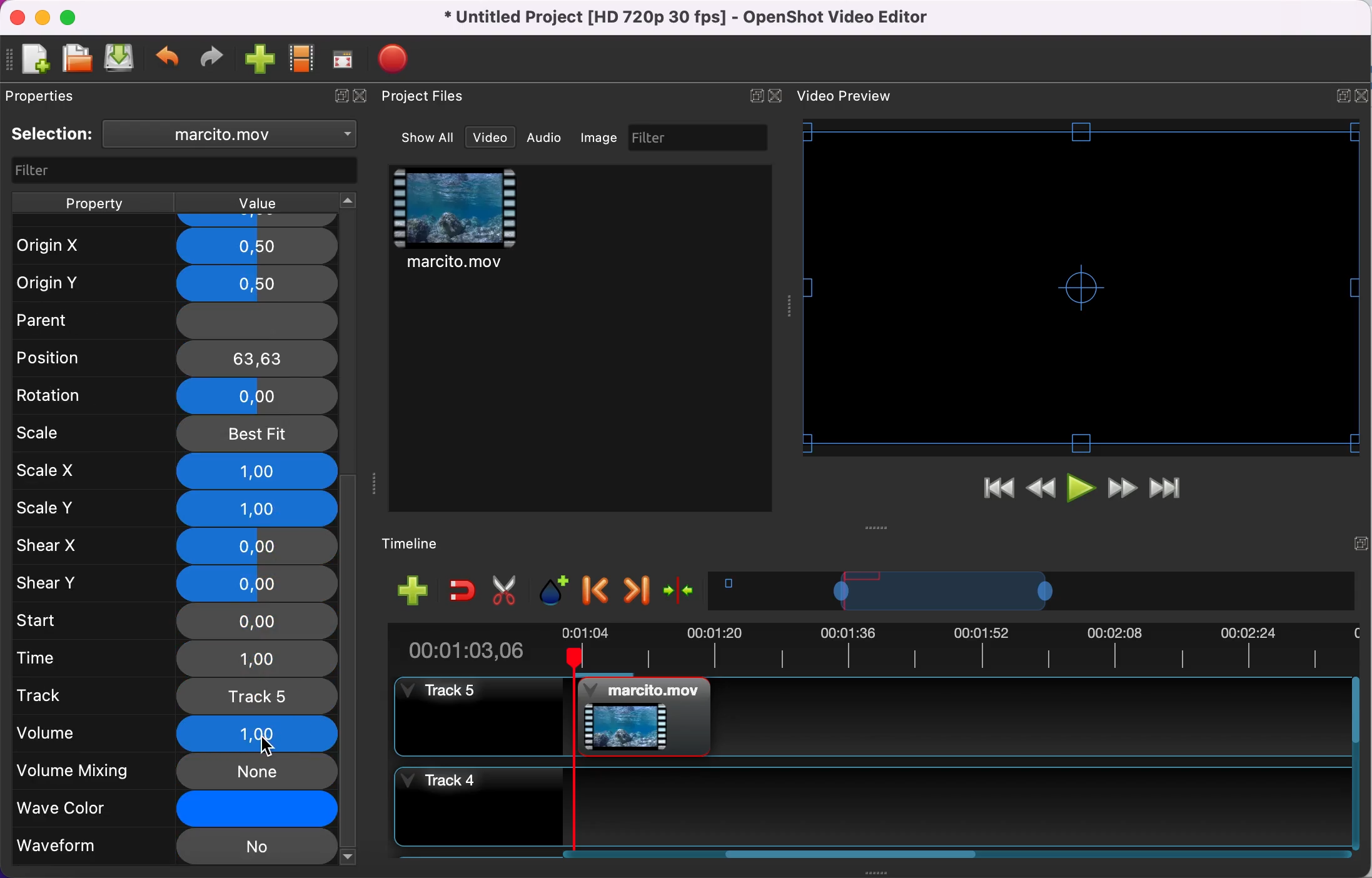 Image resolution: width=1372 pixels, height=878 pixels. What do you see at coordinates (998, 492) in the screenshot?
I see `jump to start` at bounding box center [998, 492].